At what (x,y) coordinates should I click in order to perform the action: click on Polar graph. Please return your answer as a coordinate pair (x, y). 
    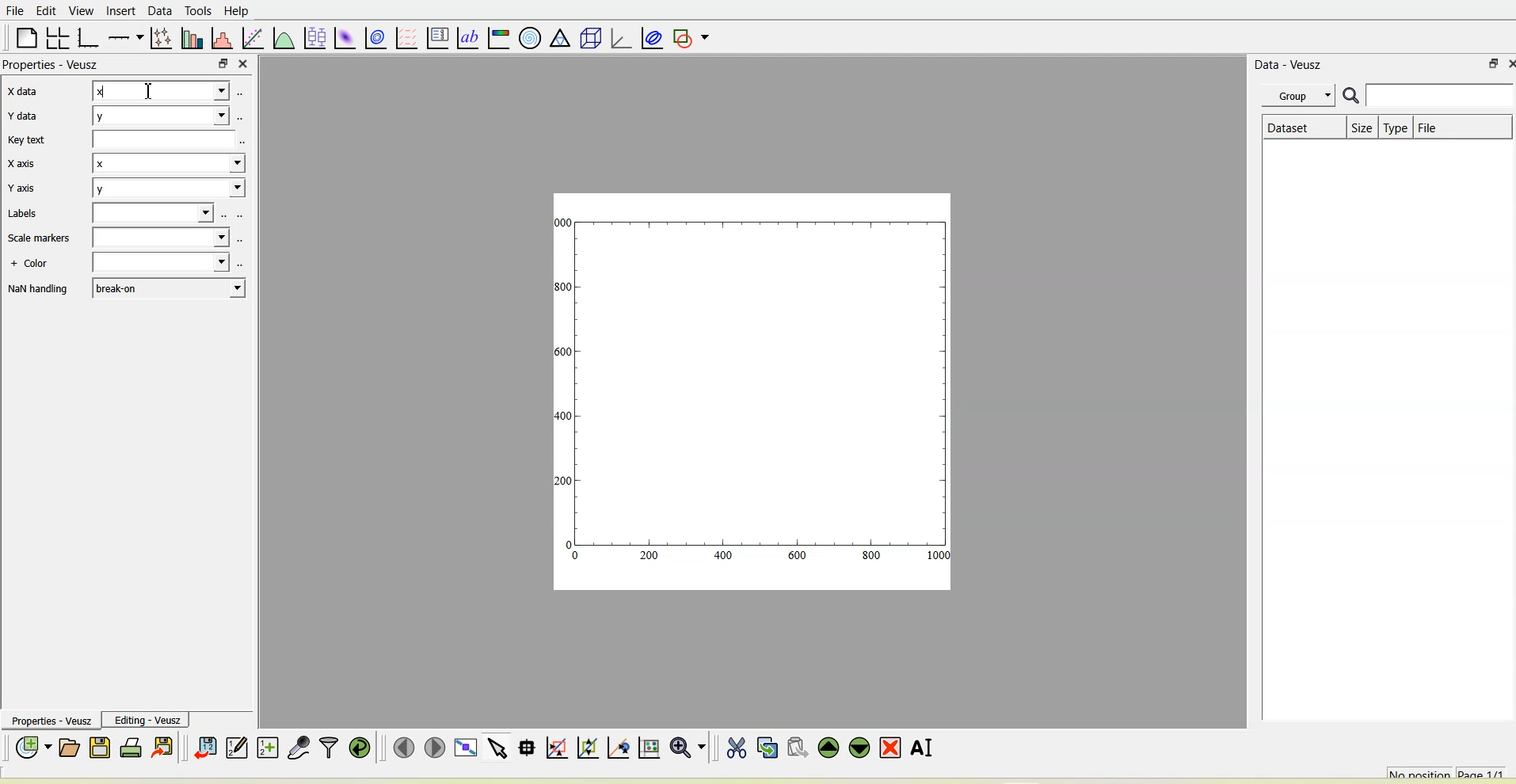
    Looking at the image, I should click on (531, 37).